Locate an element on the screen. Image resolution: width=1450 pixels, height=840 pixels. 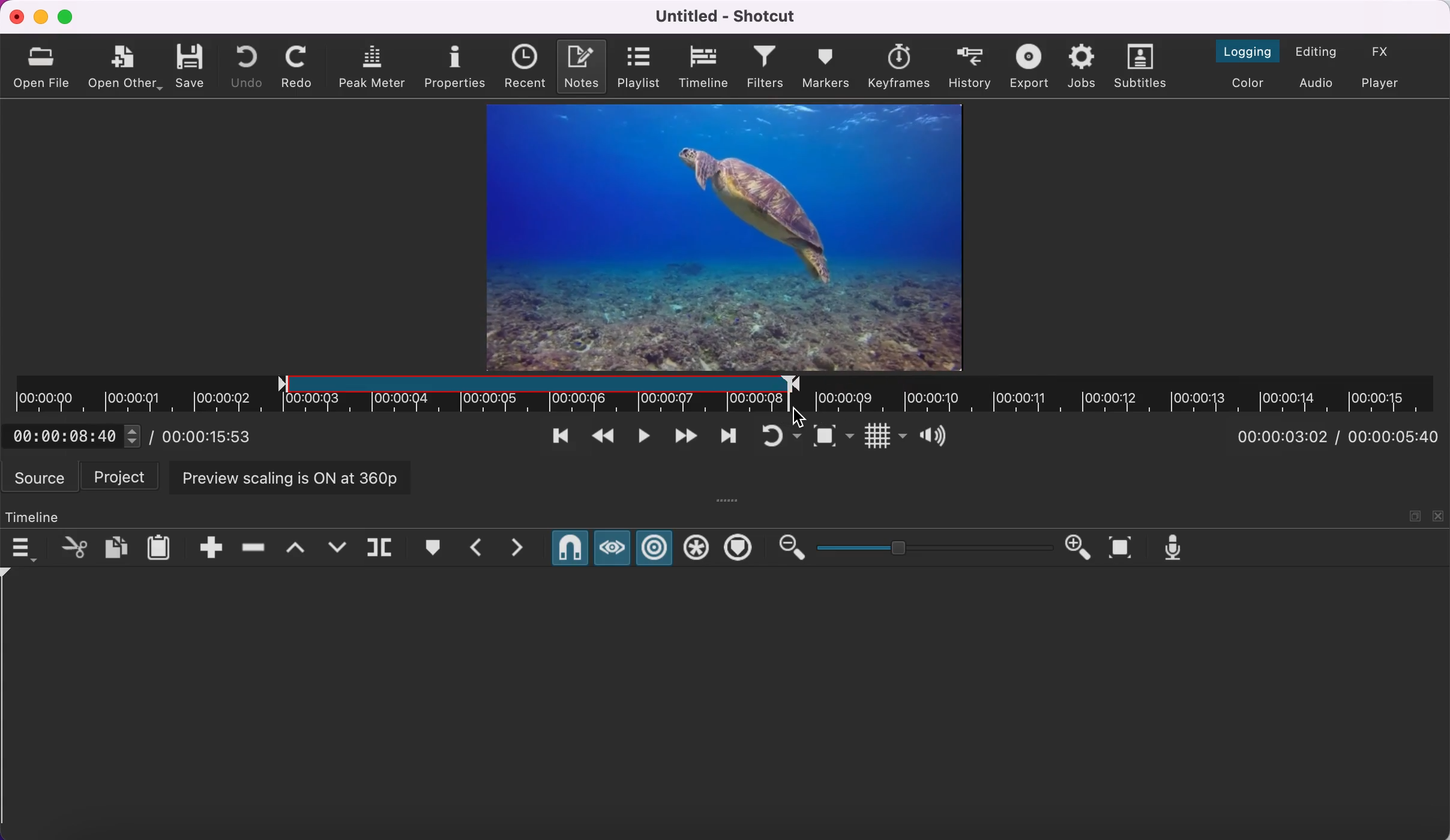
split at playhead is located at coordinates (380, 547).